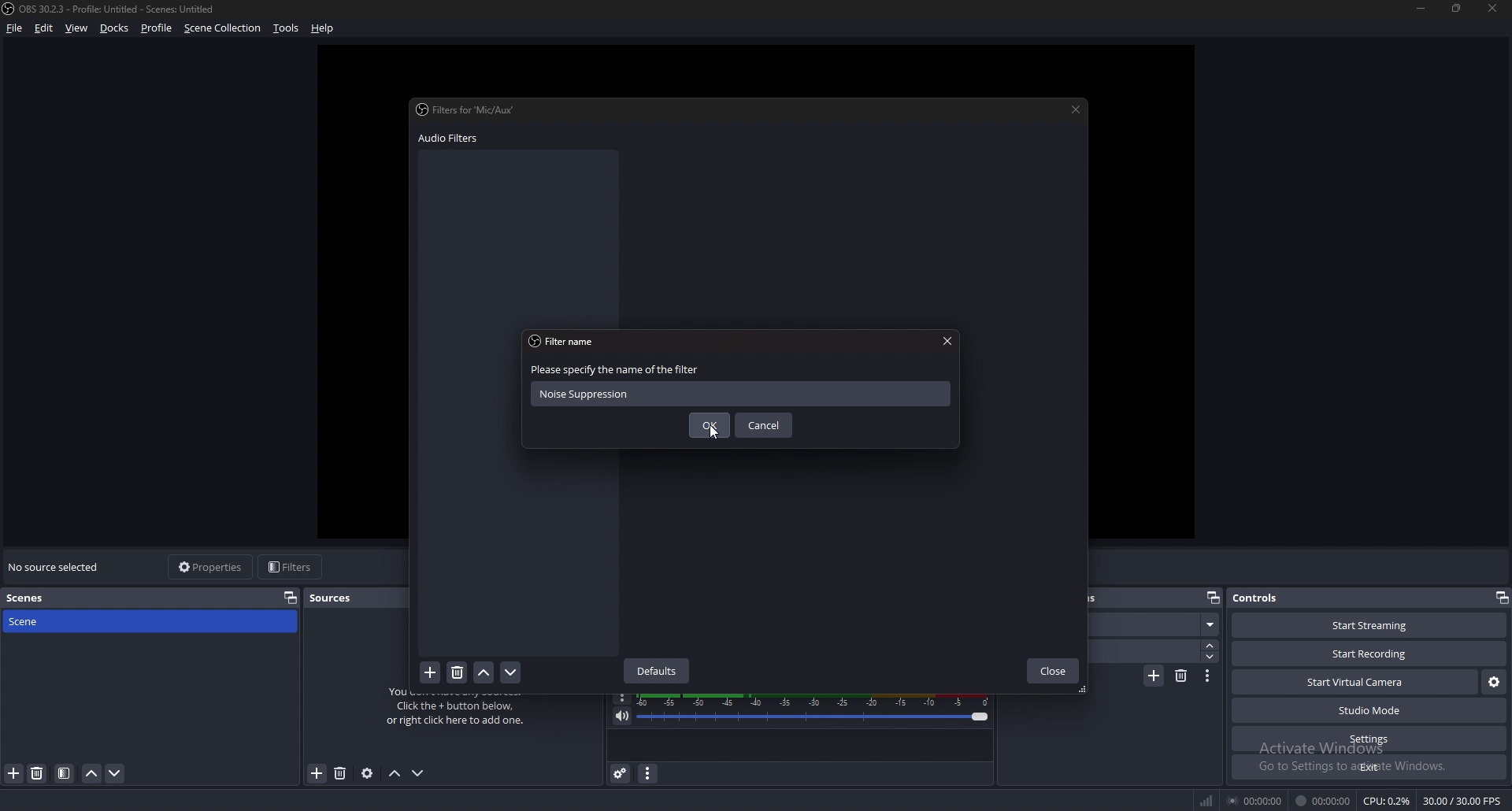 Image resolution: width=1512 pixels, height=811 pixels. I want to click on scene, so click(151, 621).